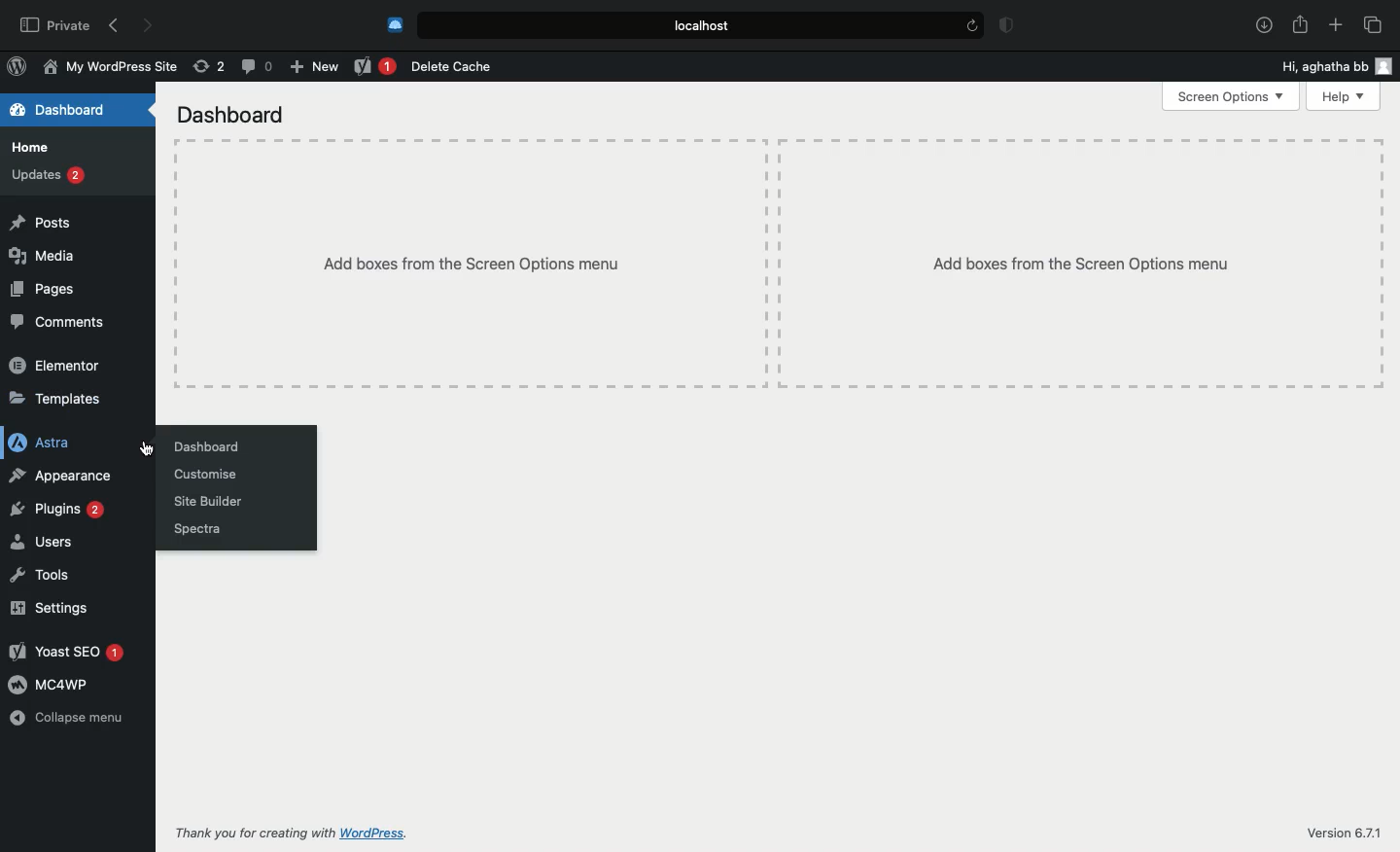 This screenshot has width=1400, height=852. I want to click on WordPress Logo, so click(17, 68).